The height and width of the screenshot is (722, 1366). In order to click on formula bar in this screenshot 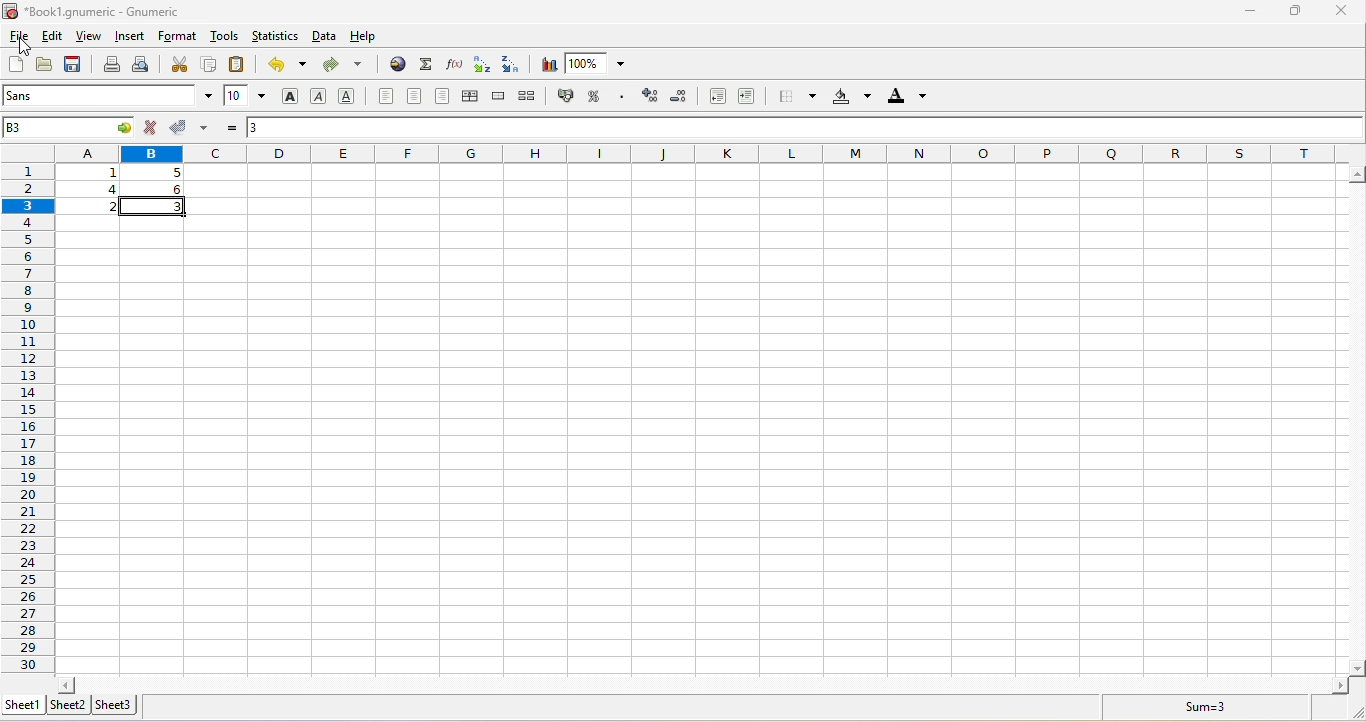, I will do `click(805, 129)`.